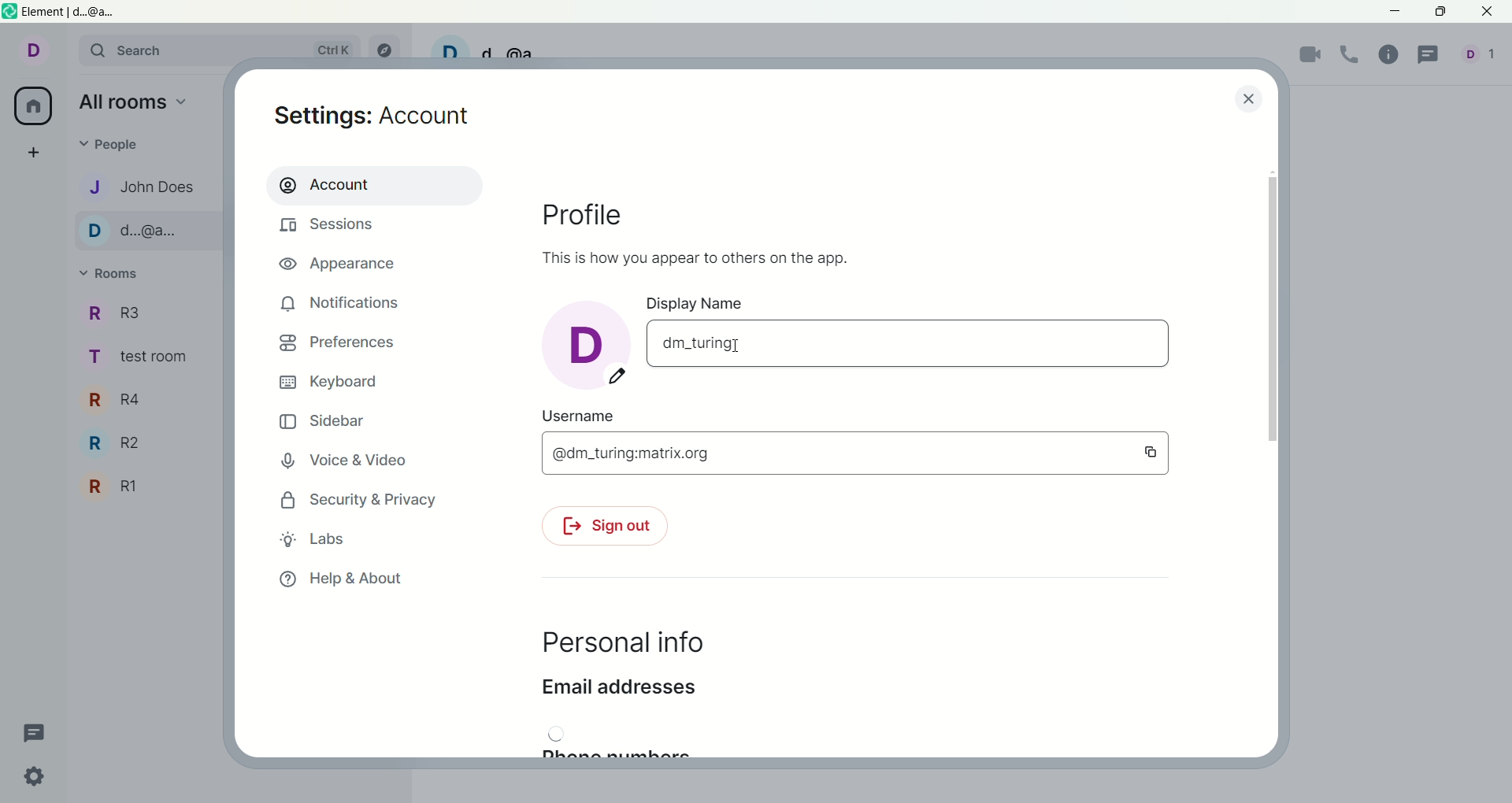  Describe the element at coordinates (120, 146) in the screenshot. I see `people` at that location.